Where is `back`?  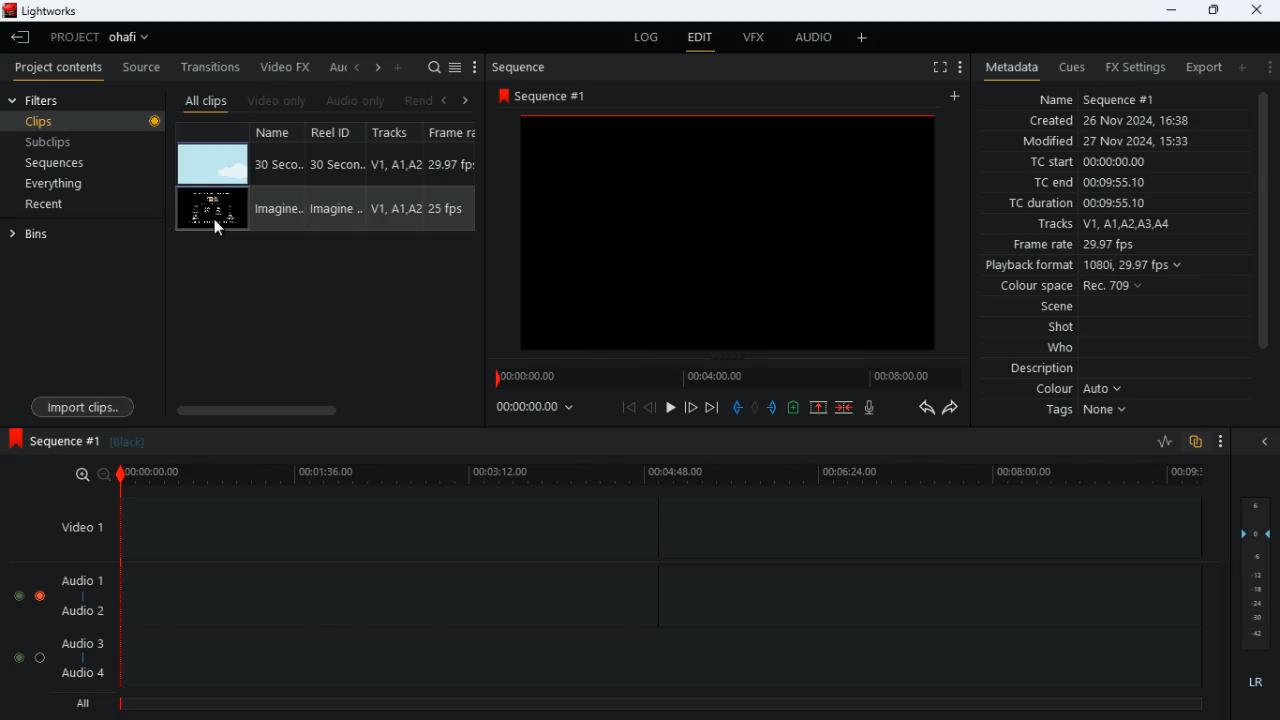 back is located at coordinates (21, 38).